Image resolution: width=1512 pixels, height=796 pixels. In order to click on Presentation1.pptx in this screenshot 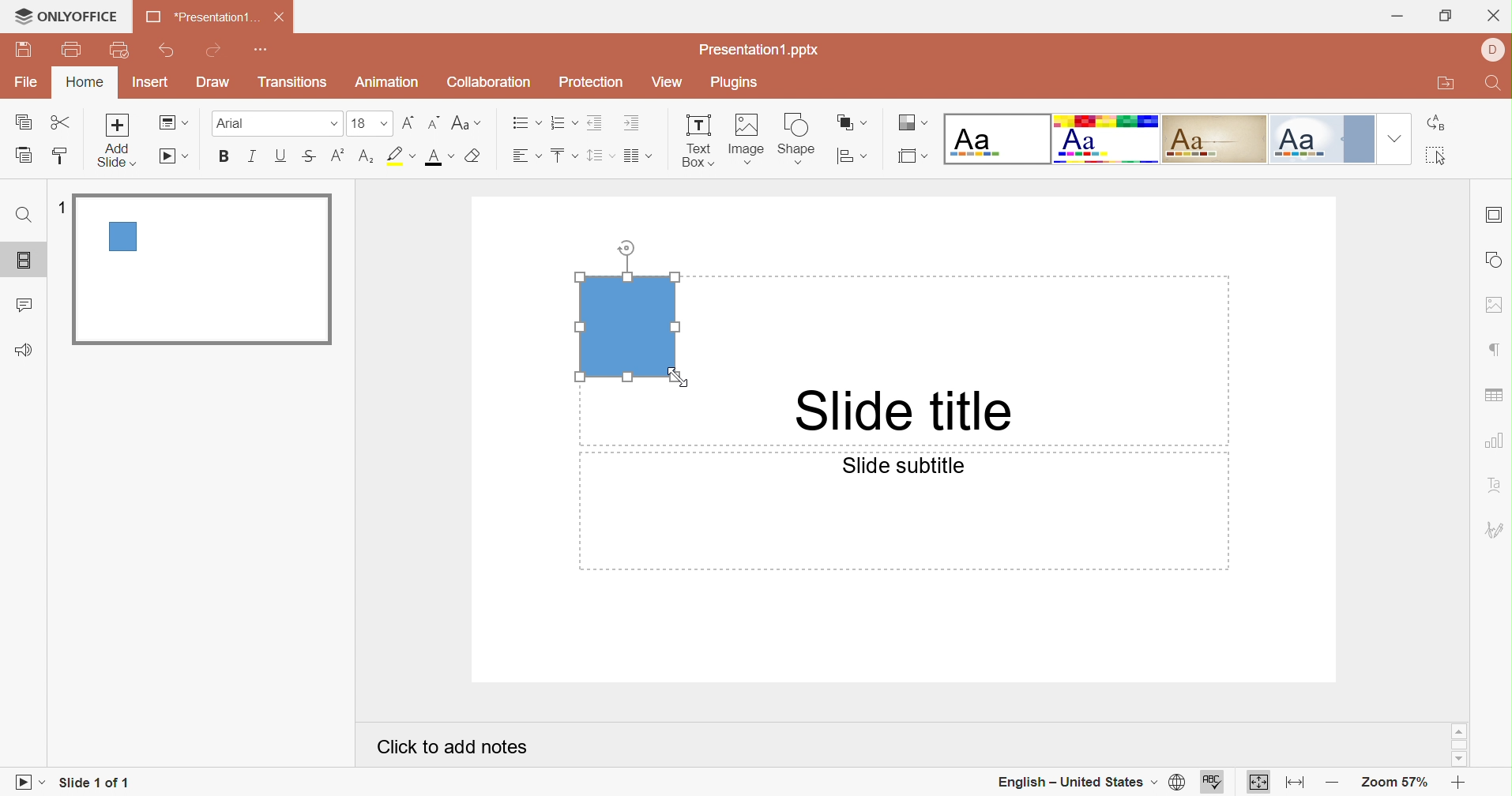, I will do `click(759, 50)`.